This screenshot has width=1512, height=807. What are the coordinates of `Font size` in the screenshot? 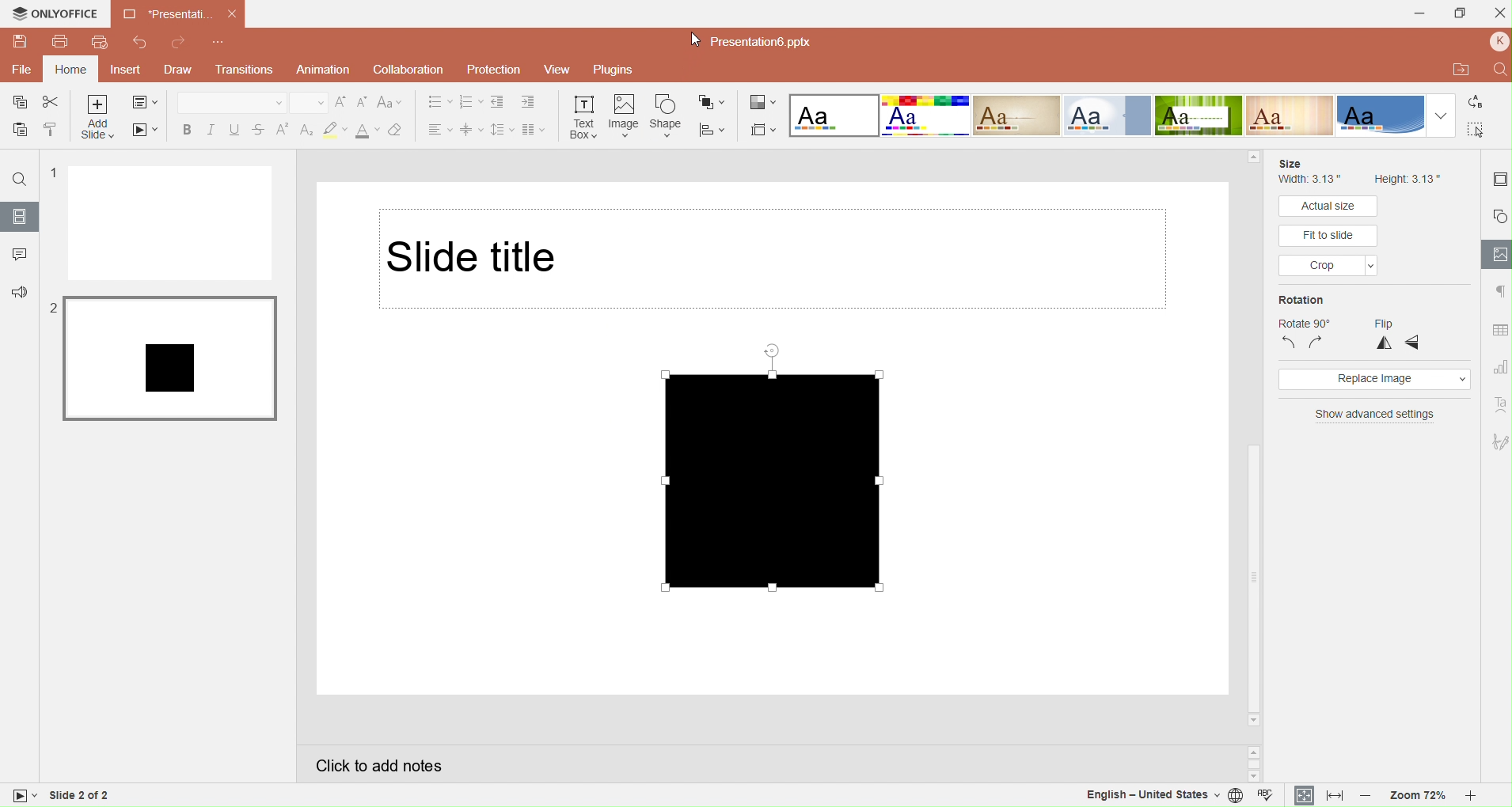 It's located at (309, 102).